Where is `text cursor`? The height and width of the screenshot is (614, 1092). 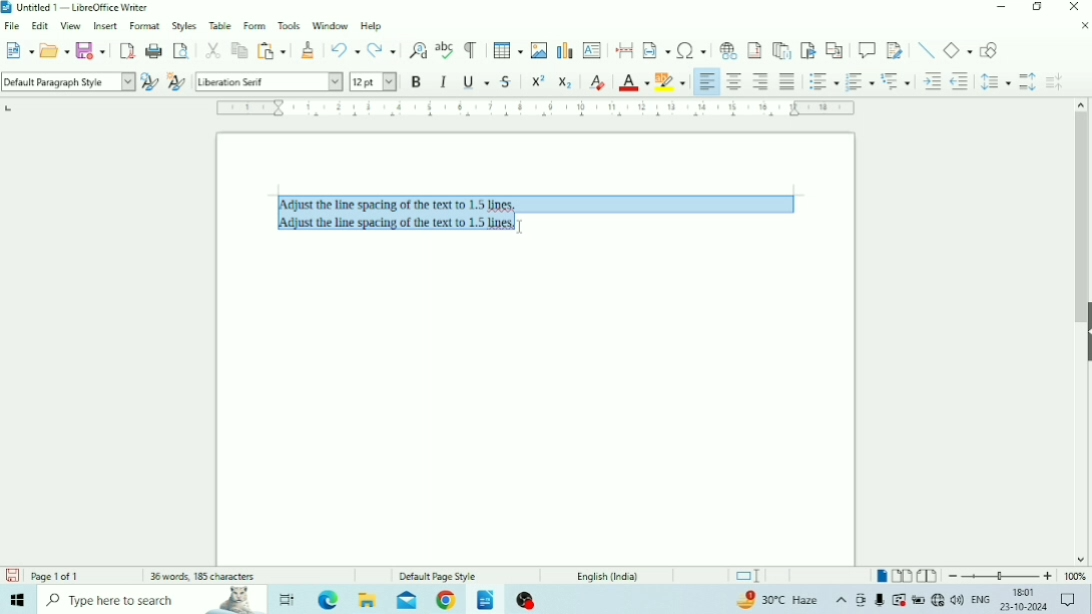 text cursor is located at coordinates (523, 228).